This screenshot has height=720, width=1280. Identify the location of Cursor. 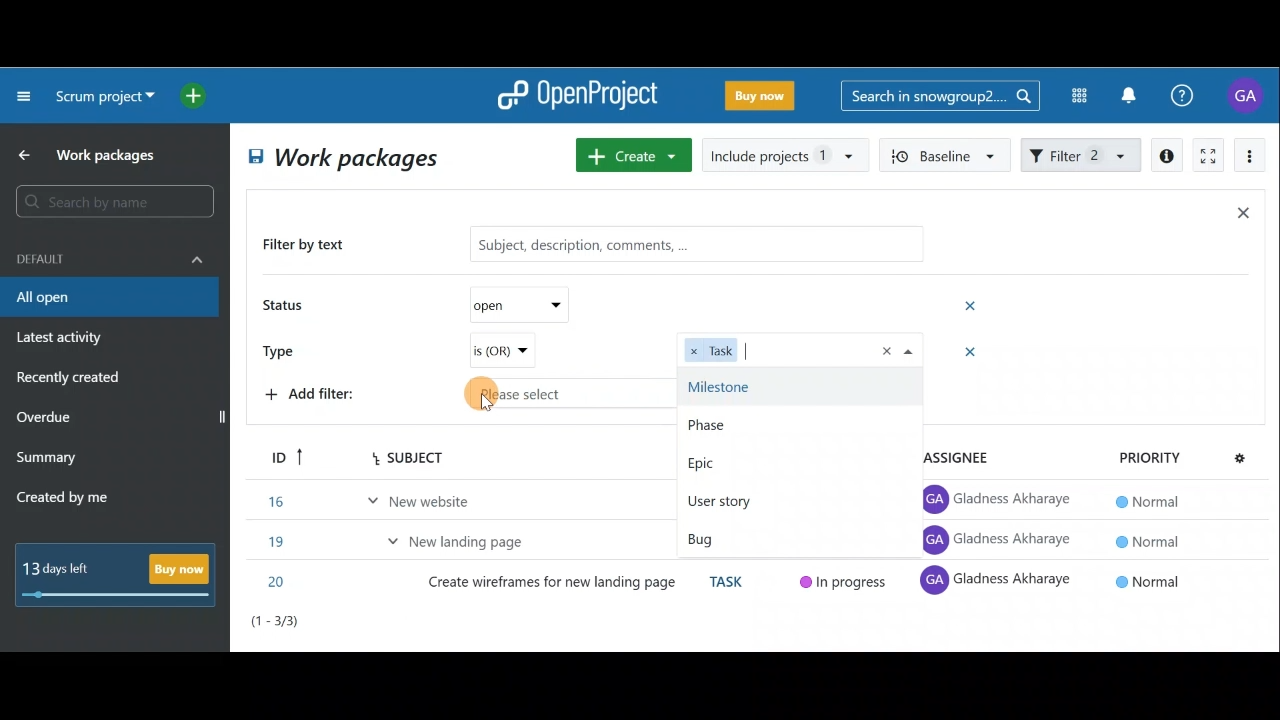
(493, 394).